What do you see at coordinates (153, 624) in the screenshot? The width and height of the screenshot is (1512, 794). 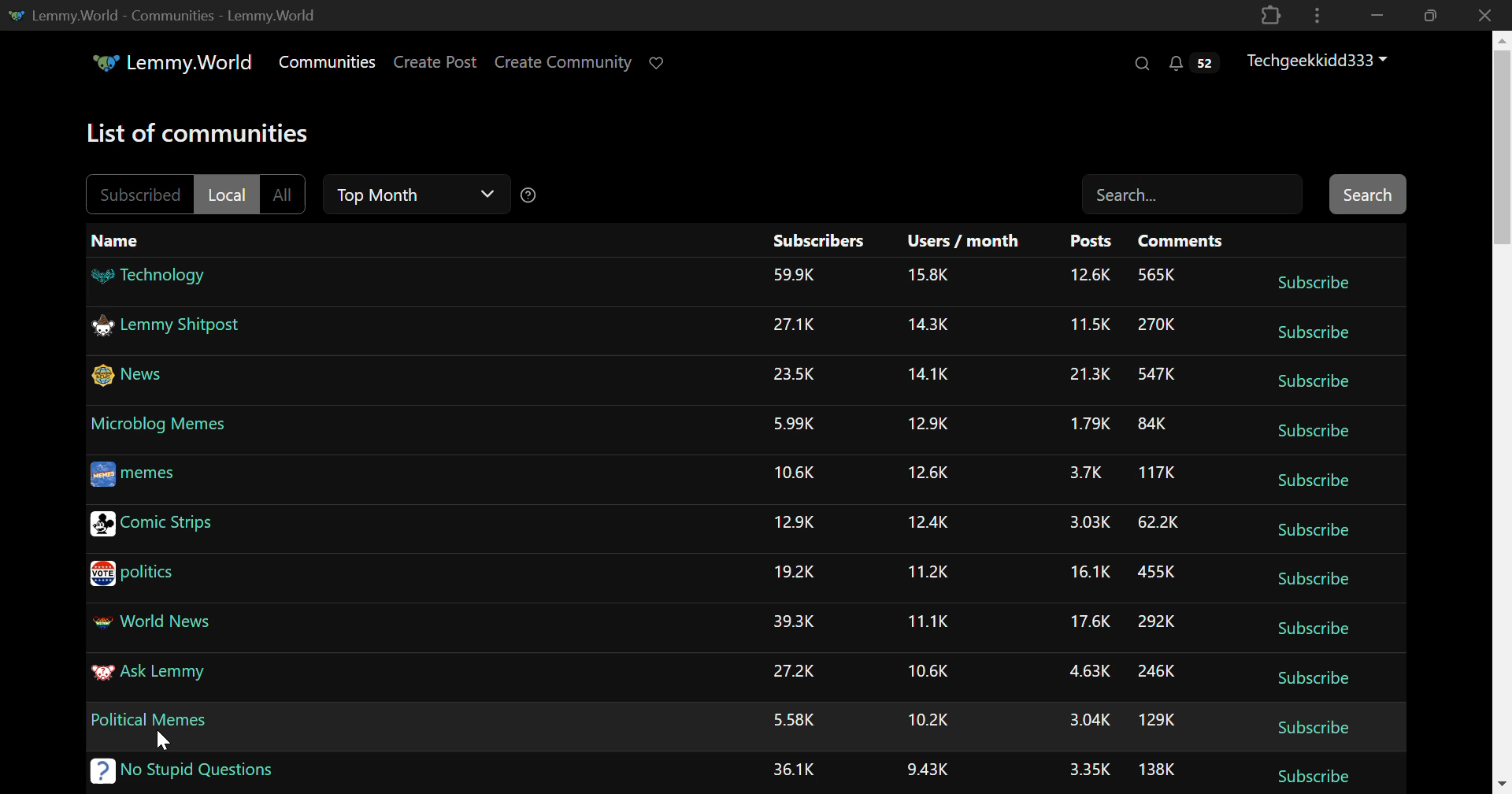 I see `World News` at bounding box center [153, 624].